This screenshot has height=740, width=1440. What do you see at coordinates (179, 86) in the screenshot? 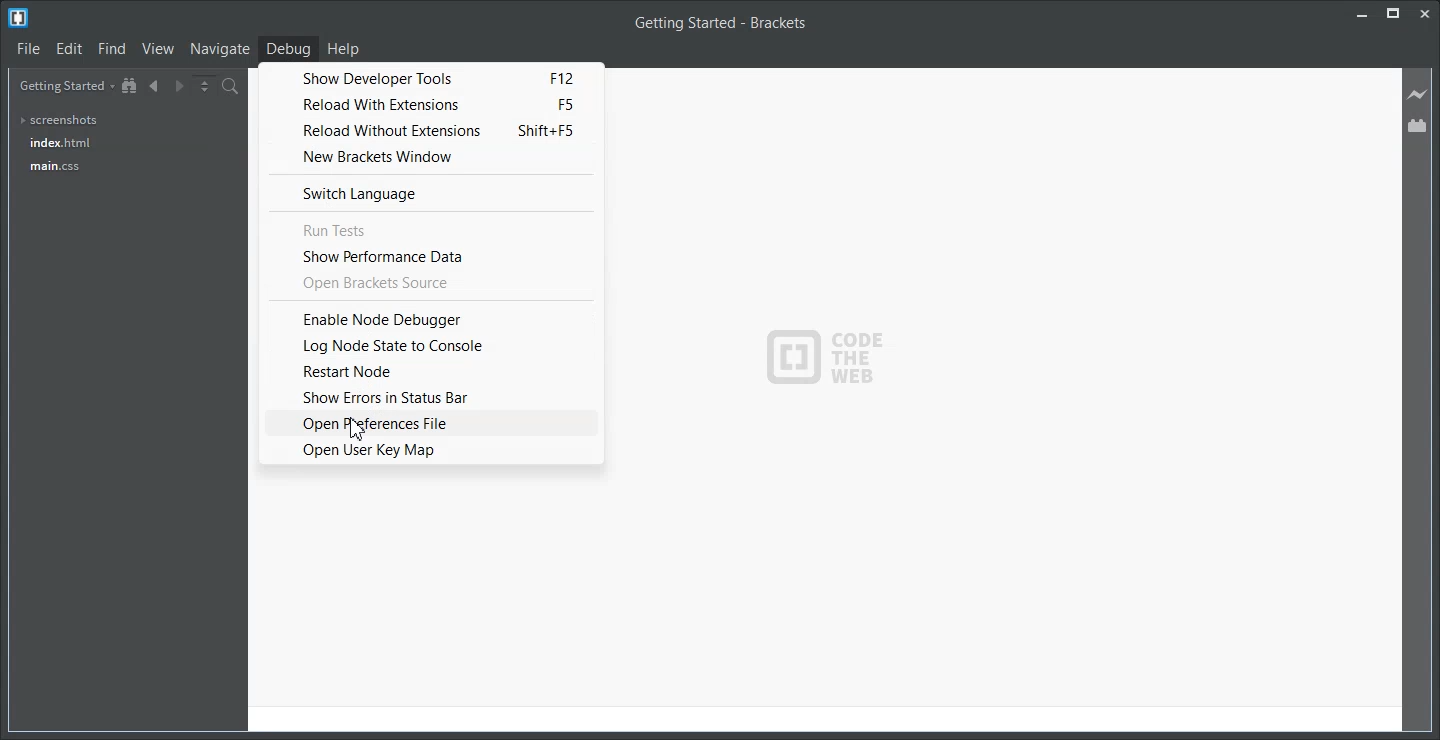
I see `Navigate Forward` at bounding box center [179, 86].